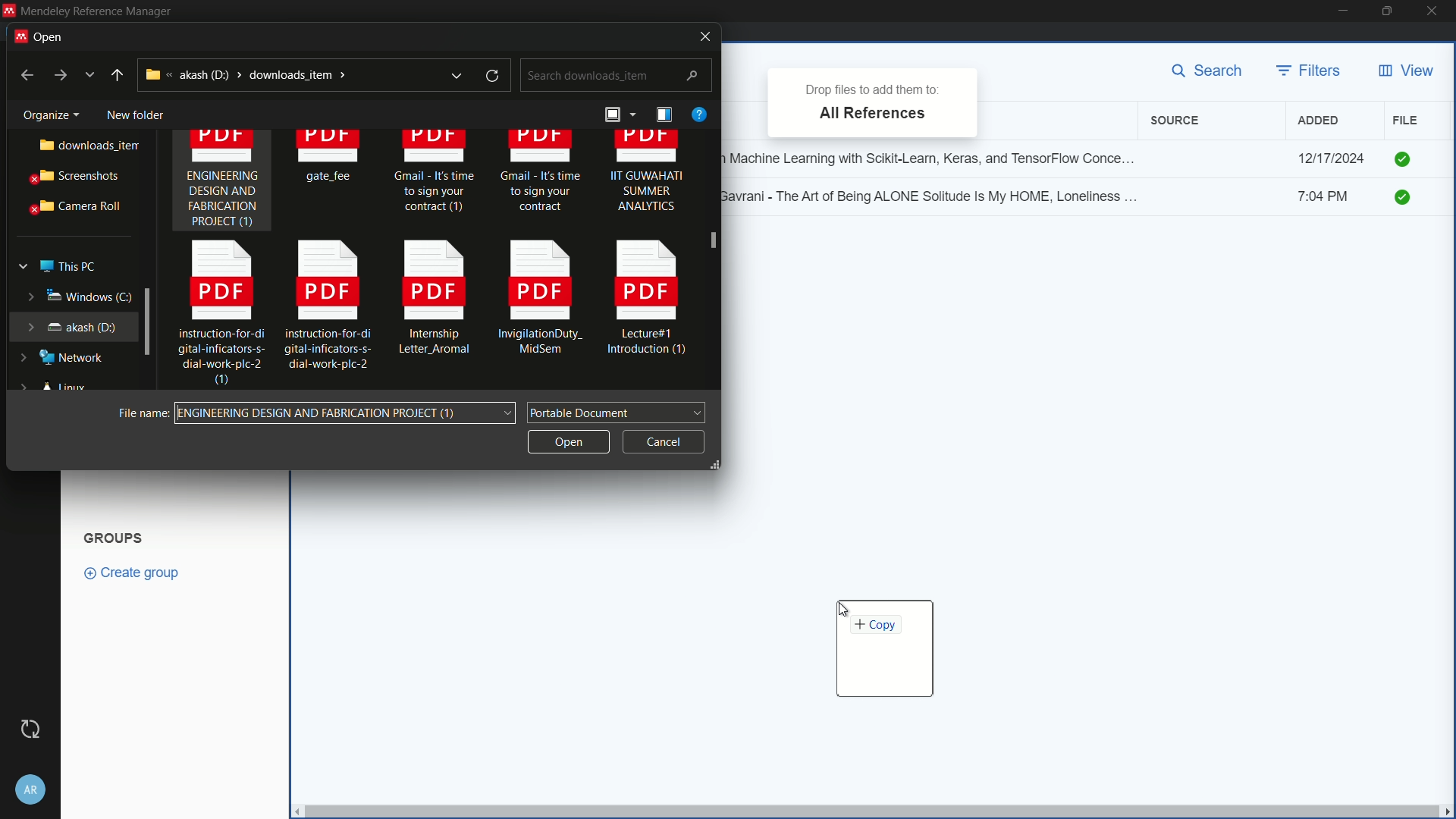 The image size is (1456, 819). I want to click on Gmail - It's time.
to sign your
contract, so click(541, 174).